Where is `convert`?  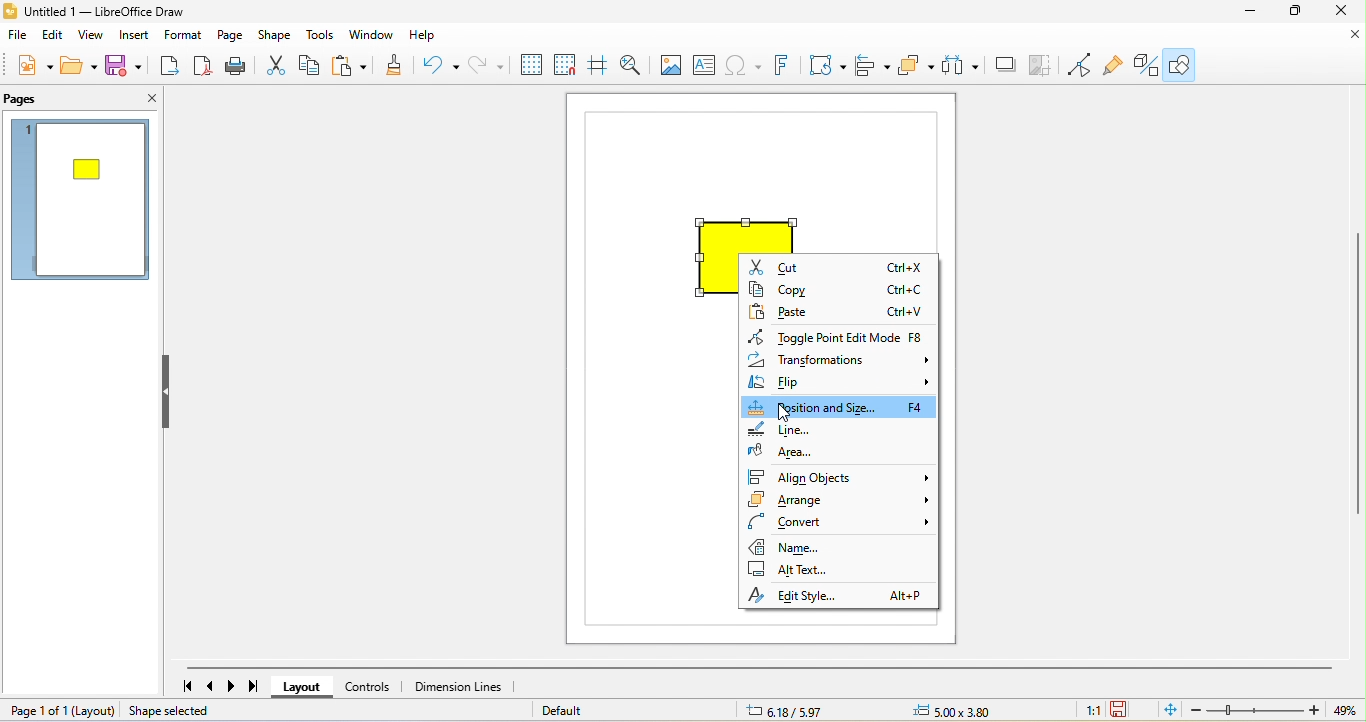 convert is located at coordinates (843, 523).